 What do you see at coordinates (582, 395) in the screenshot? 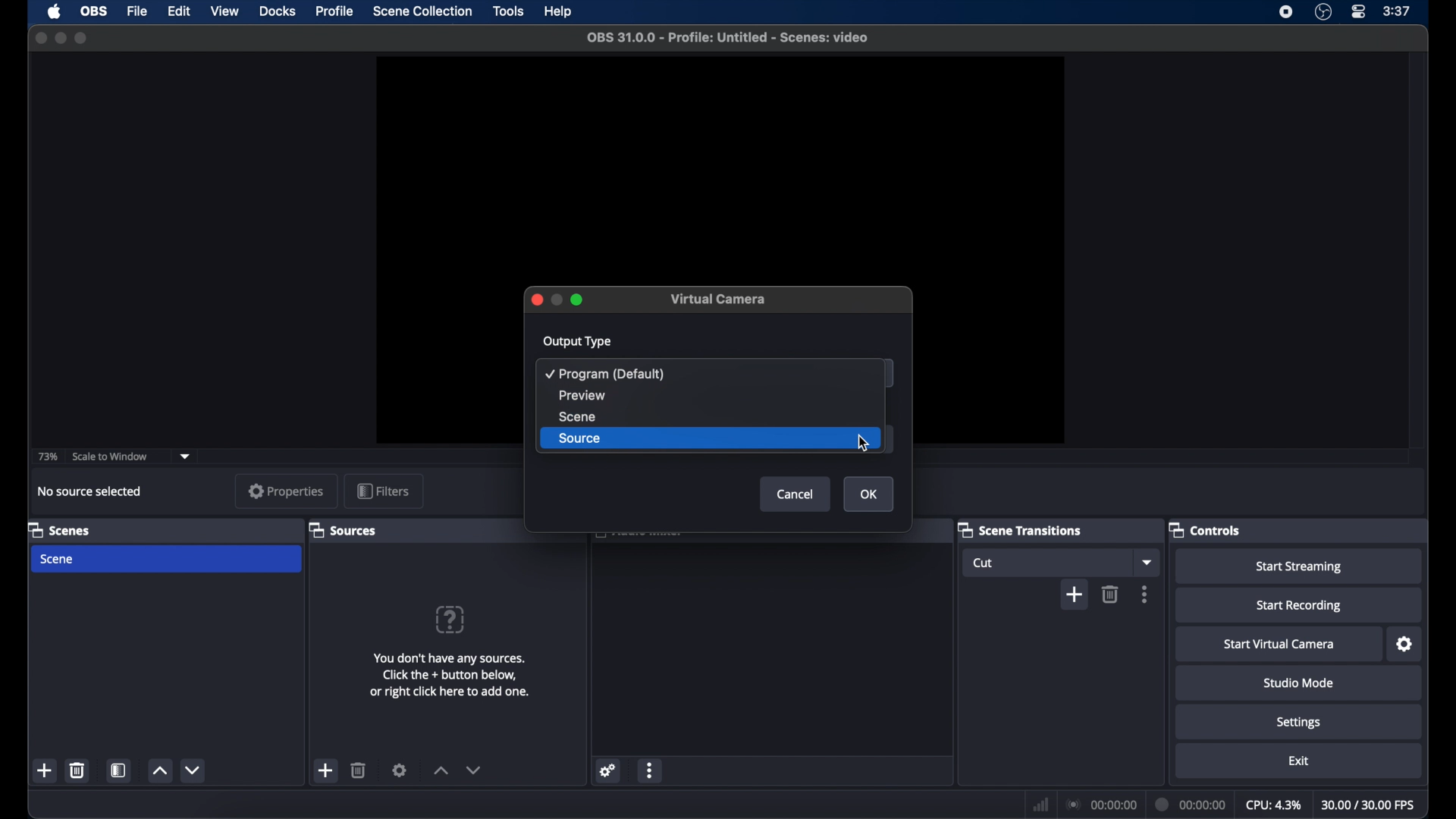
I see `preview` at bounding box center [582, 395].